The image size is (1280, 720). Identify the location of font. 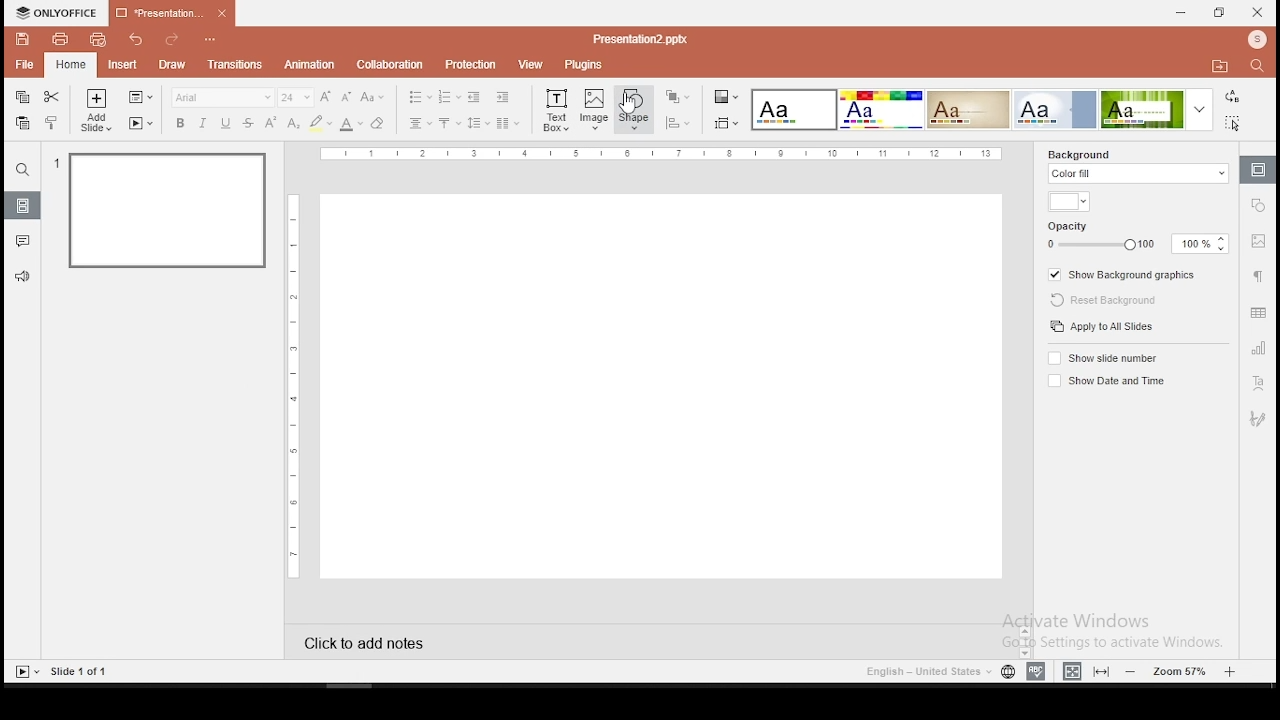
(222, 97).